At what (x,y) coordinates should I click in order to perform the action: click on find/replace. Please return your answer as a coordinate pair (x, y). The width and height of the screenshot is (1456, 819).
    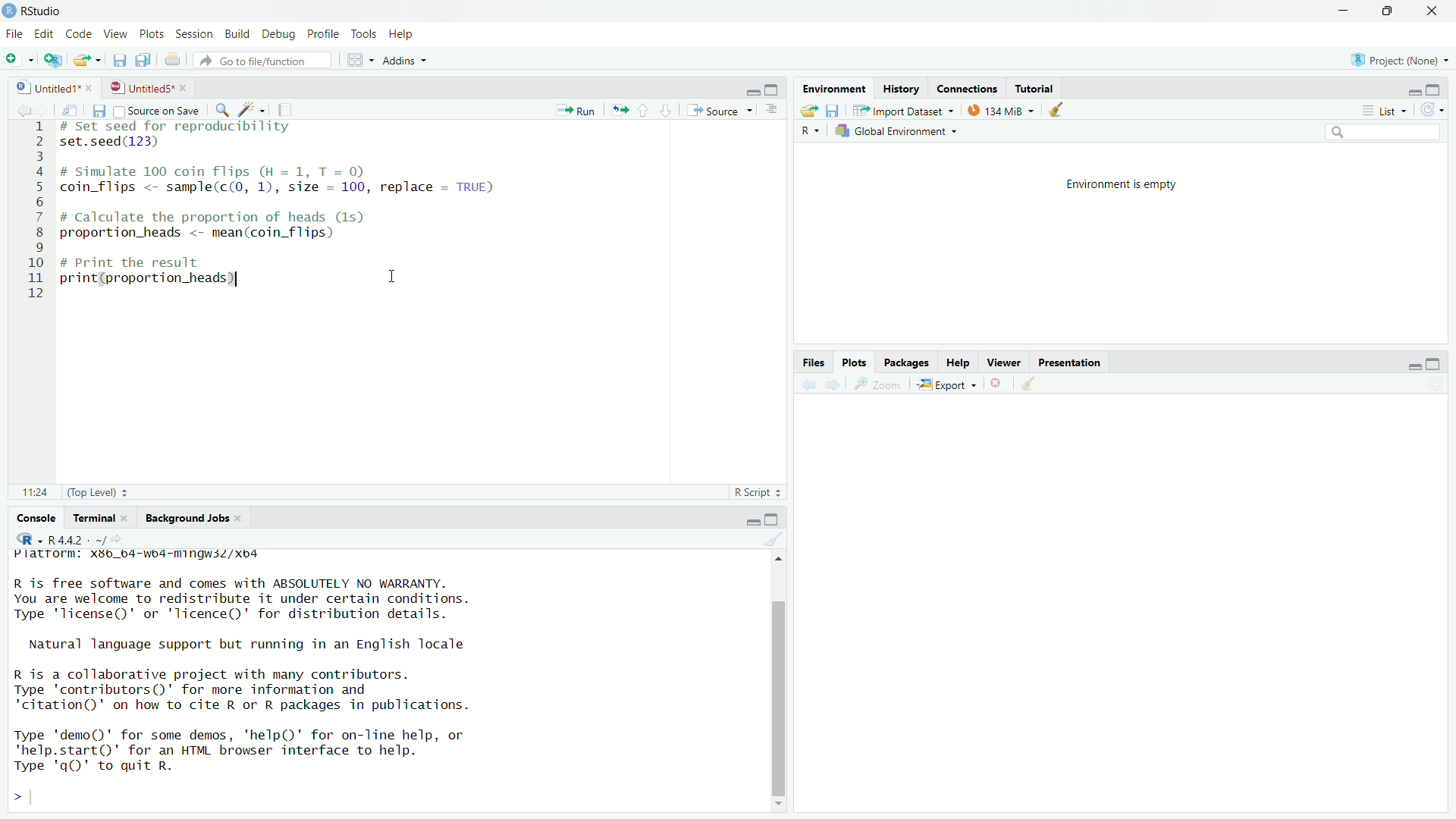
    Looking at the image, I should click on (222, 109).